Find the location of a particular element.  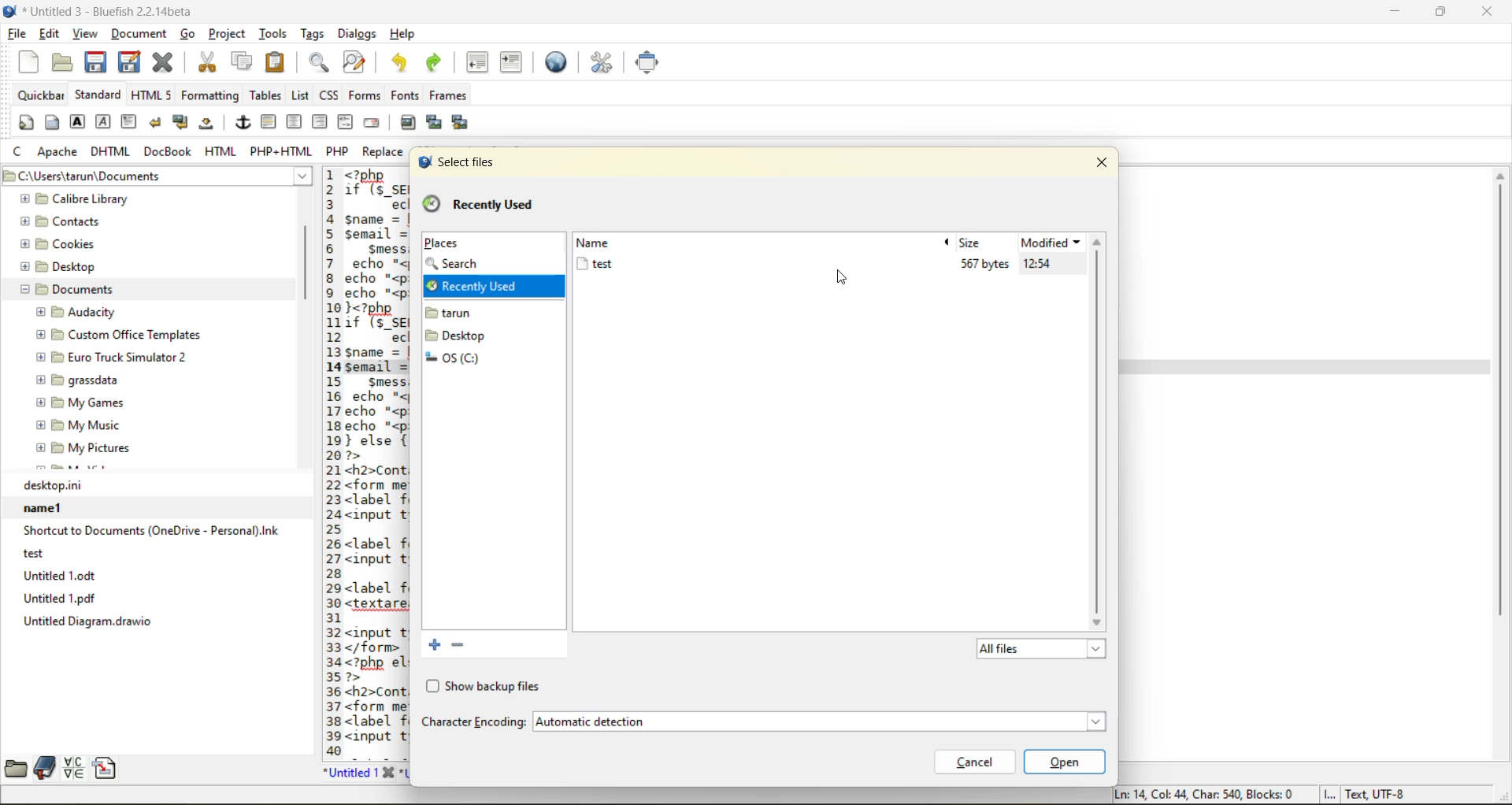

strong is located at coordinates (78, 124).